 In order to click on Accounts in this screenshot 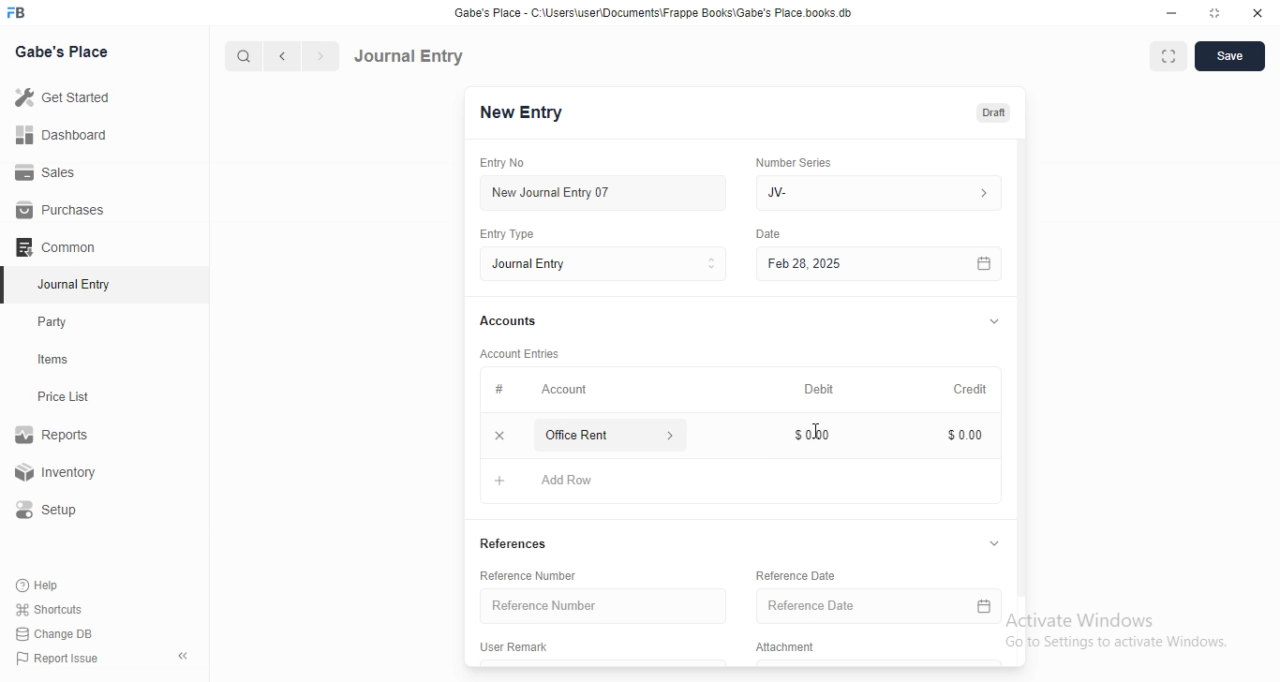, I will do `click(506, 321)`.